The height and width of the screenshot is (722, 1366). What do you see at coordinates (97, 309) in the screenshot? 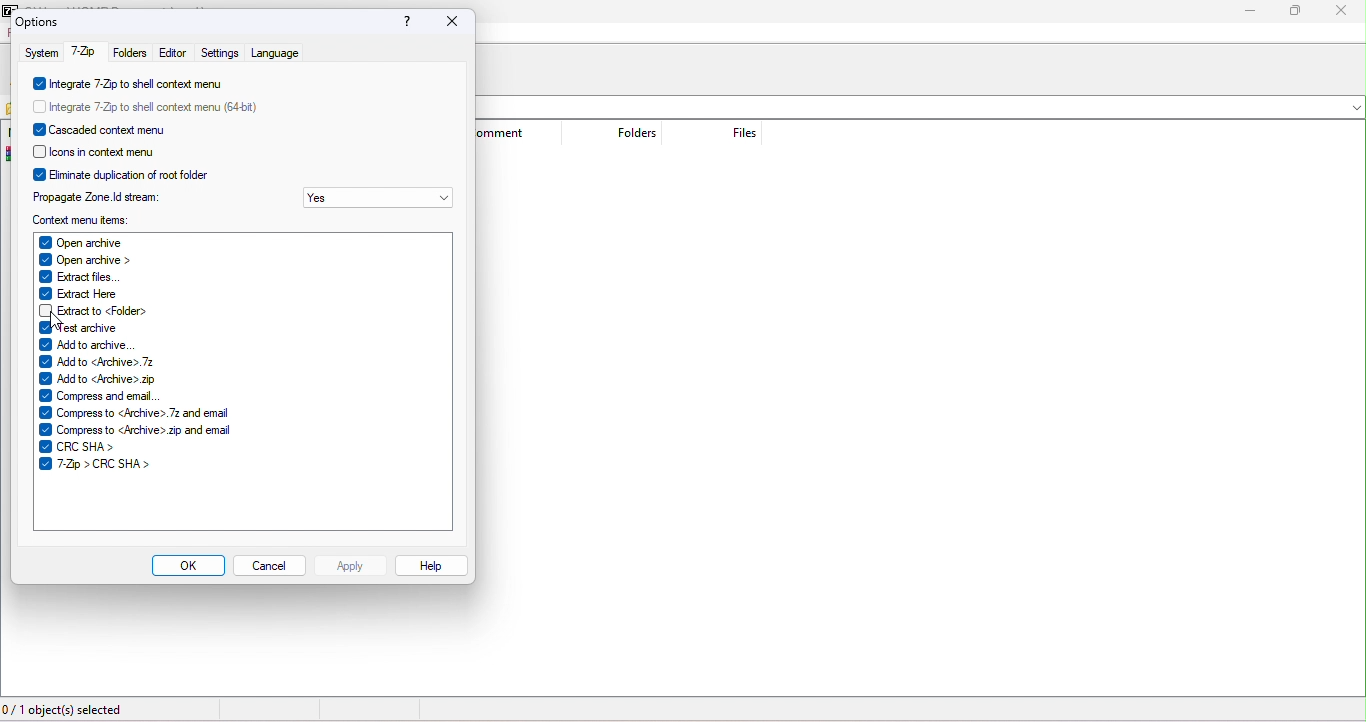
I see `extract to <folders>` at bounding box center [97, 309].